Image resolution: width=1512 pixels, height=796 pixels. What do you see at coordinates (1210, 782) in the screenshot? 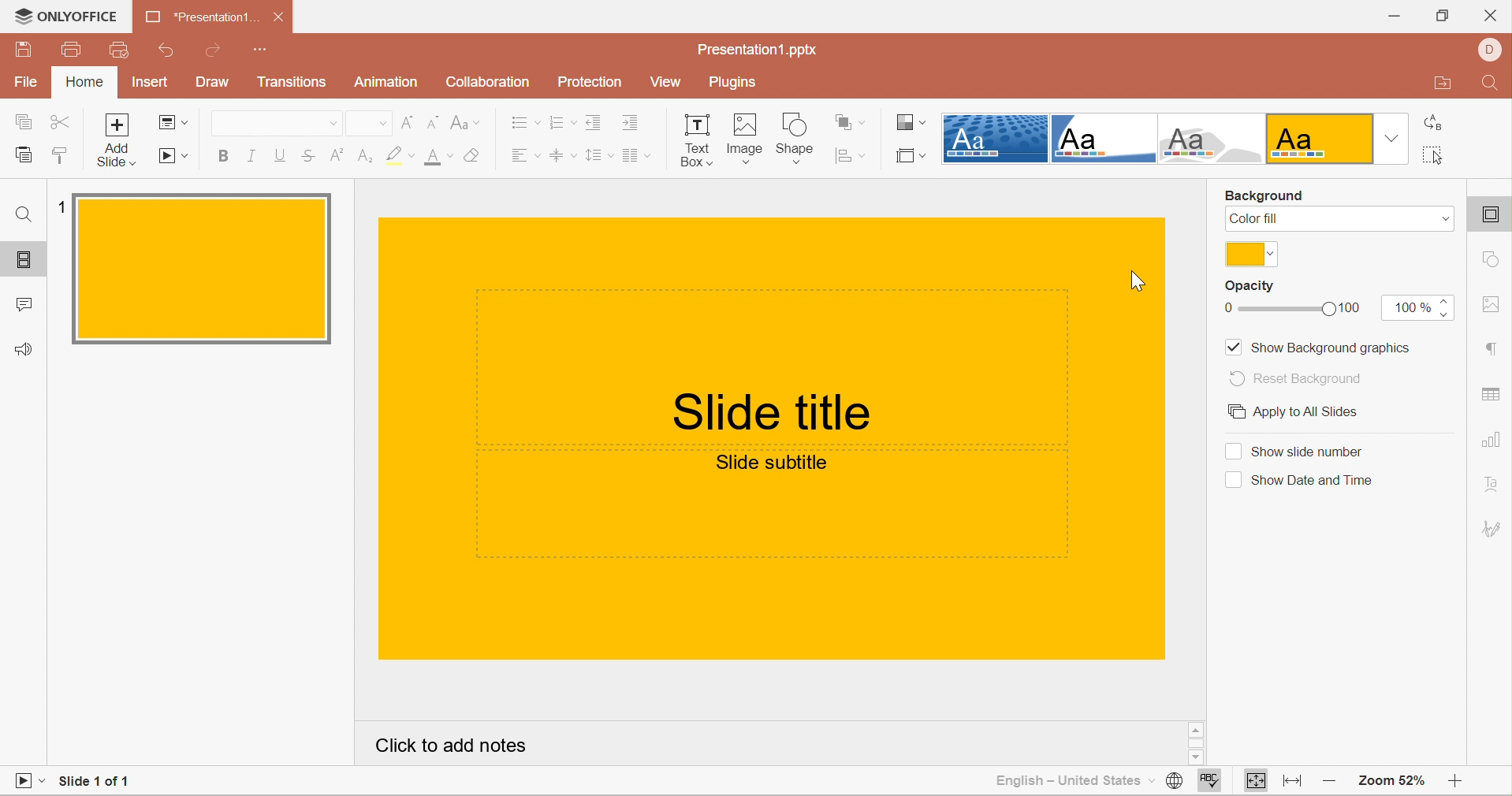
I see `Spell checking` at bounding box center [1210, 782].